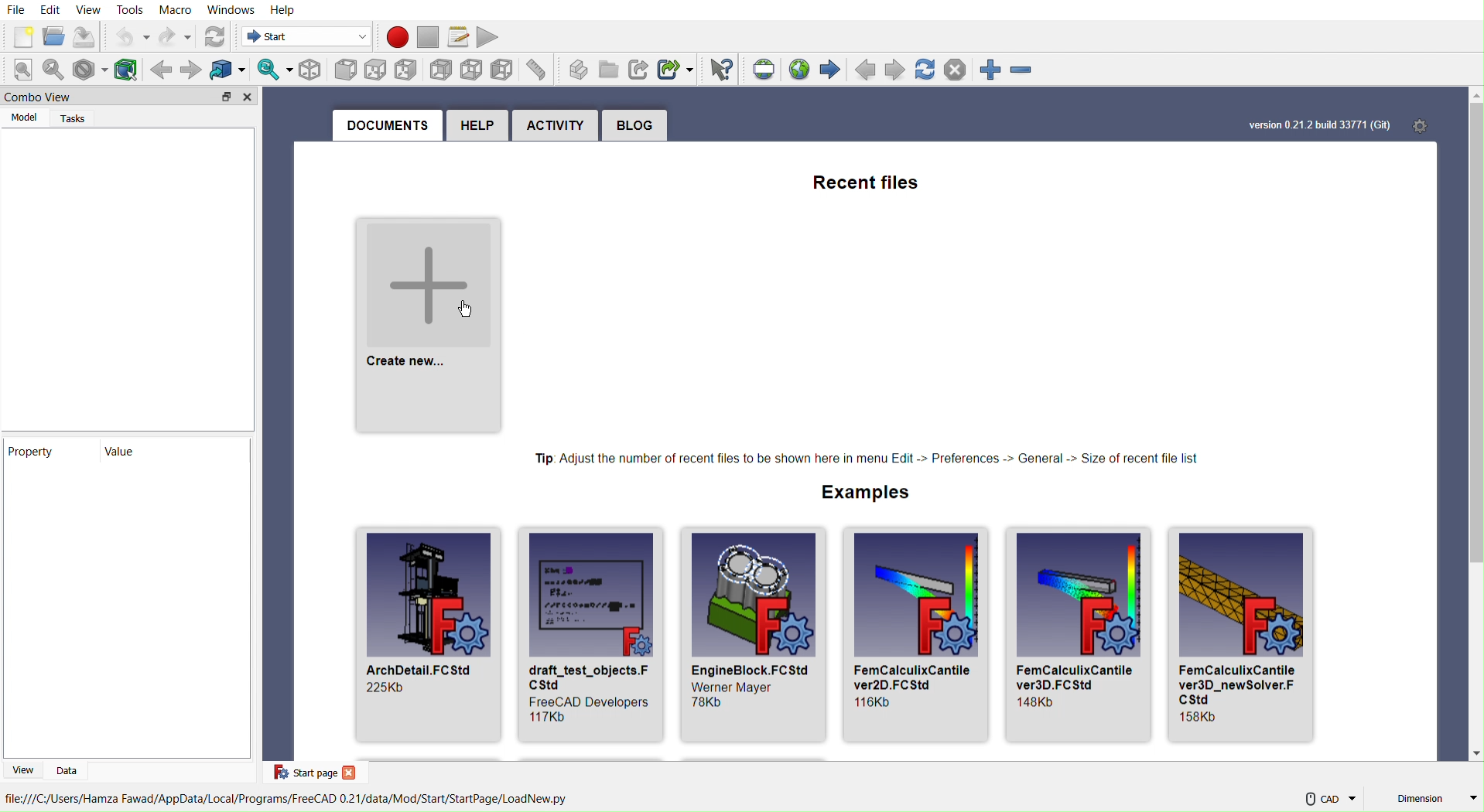 The width and height of the screenshot is (1484, 812). Describe the element at coordinates (502, 70) in the screenshot. I see `Set to left view` at that location.